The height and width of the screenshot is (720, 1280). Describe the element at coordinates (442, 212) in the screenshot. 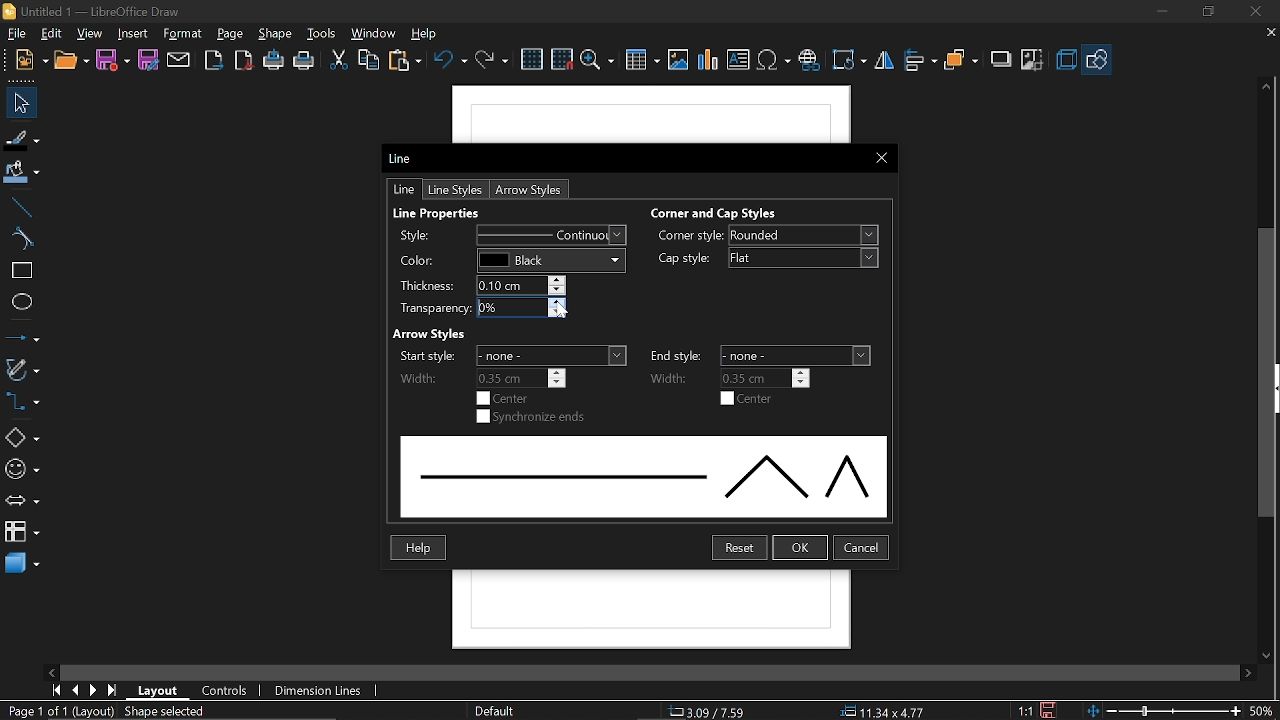

I see `Line properties` at that location.